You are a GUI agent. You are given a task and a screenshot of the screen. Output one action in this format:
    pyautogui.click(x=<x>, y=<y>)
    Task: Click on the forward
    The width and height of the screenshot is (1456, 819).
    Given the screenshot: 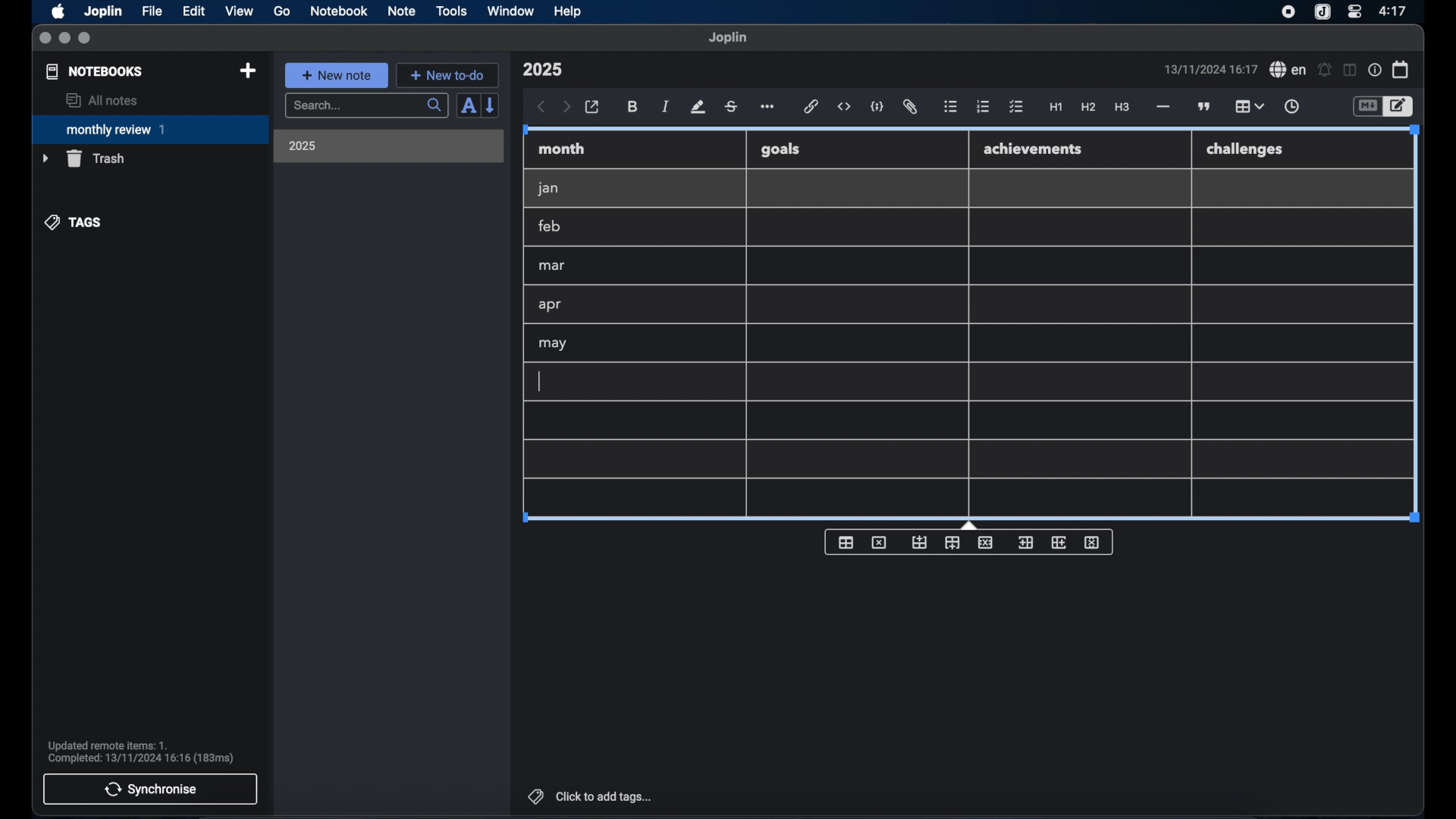 What is the action you would take?
    pyautogui.click(x=566, y=108)
    